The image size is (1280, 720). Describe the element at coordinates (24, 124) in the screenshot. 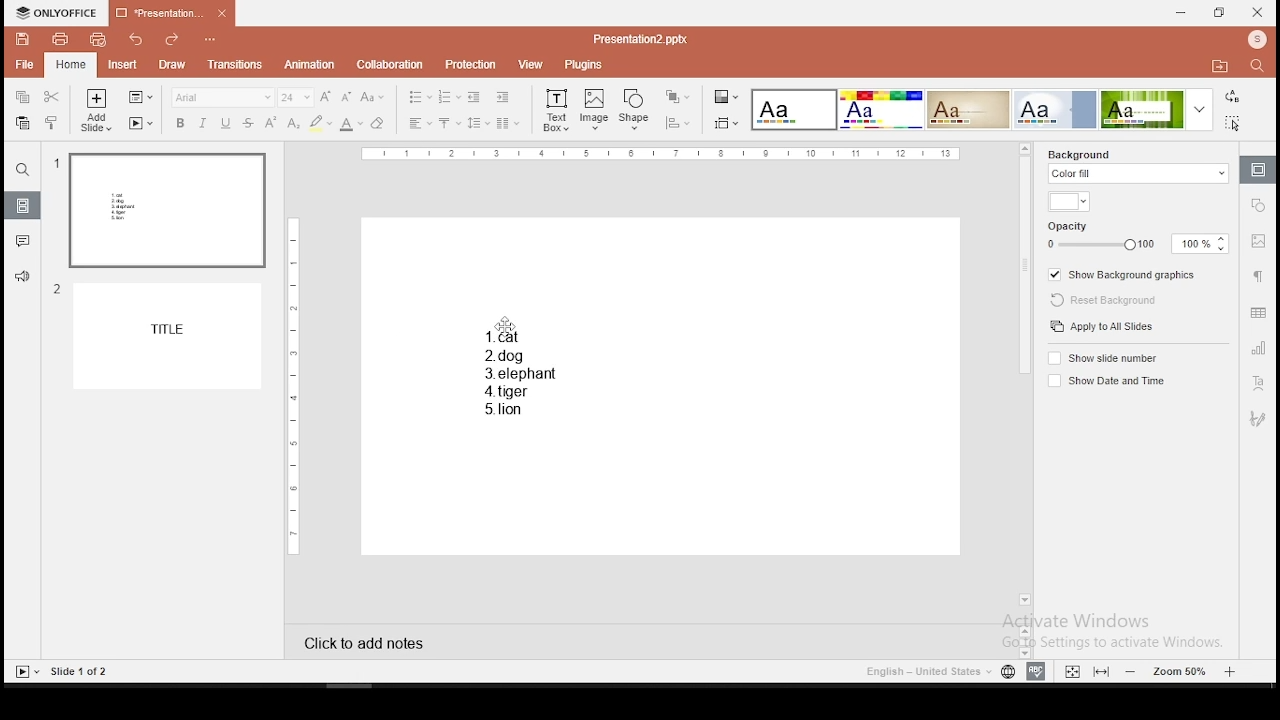

I see `paste` at that location.